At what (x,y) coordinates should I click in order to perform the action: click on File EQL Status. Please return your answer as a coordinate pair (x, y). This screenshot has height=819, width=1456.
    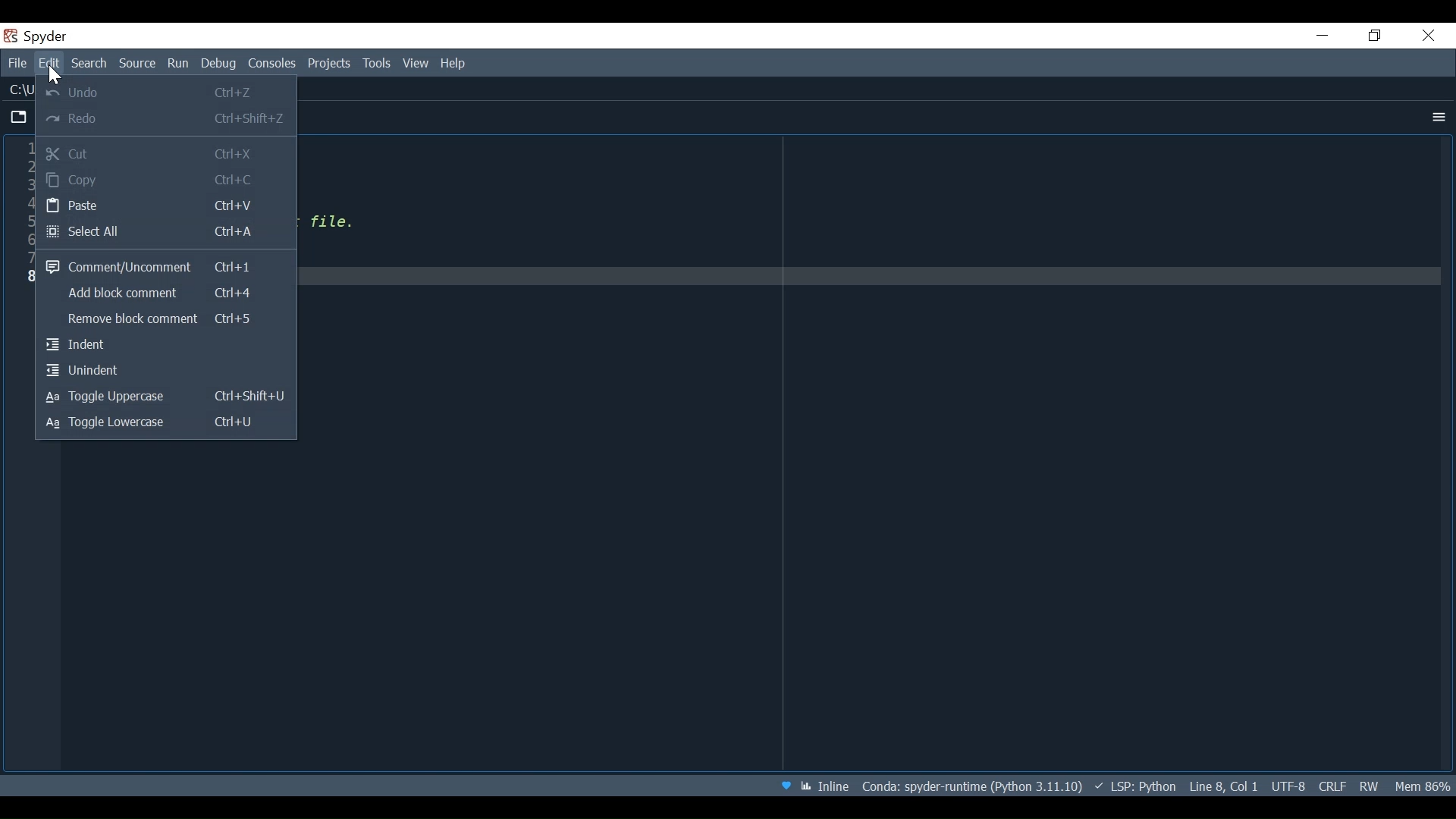
    Looking at the image, I should click on (1332, 786).